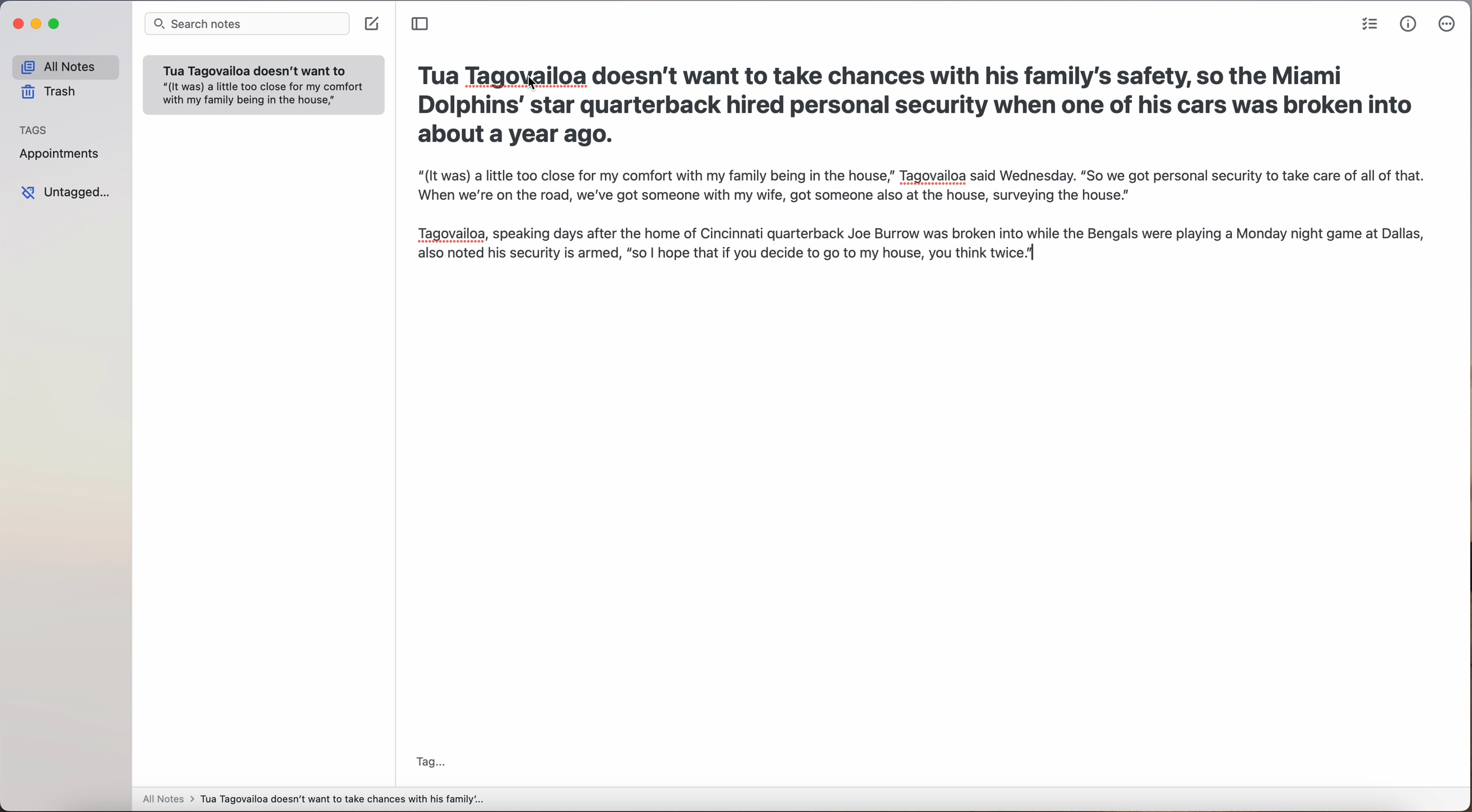  Describe the element at coordinates (258, 87) in the screenshot. I see `Tua Tagovailoa doesn’t want to
“(It was) a little too close for my comfort
with my family being in the house,”` at that location.